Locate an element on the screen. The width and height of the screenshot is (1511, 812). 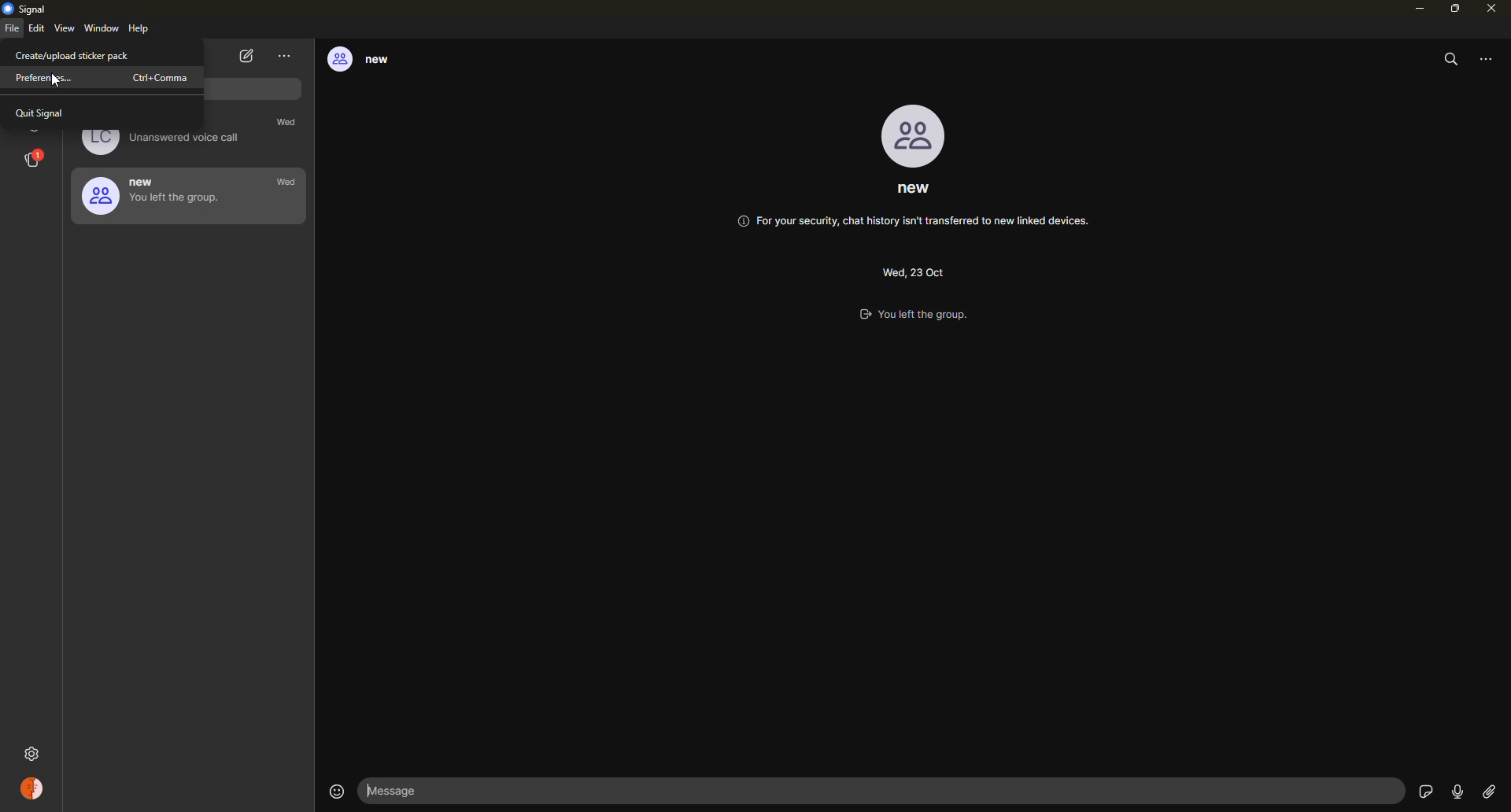
help is located at coordinates (140, 30).